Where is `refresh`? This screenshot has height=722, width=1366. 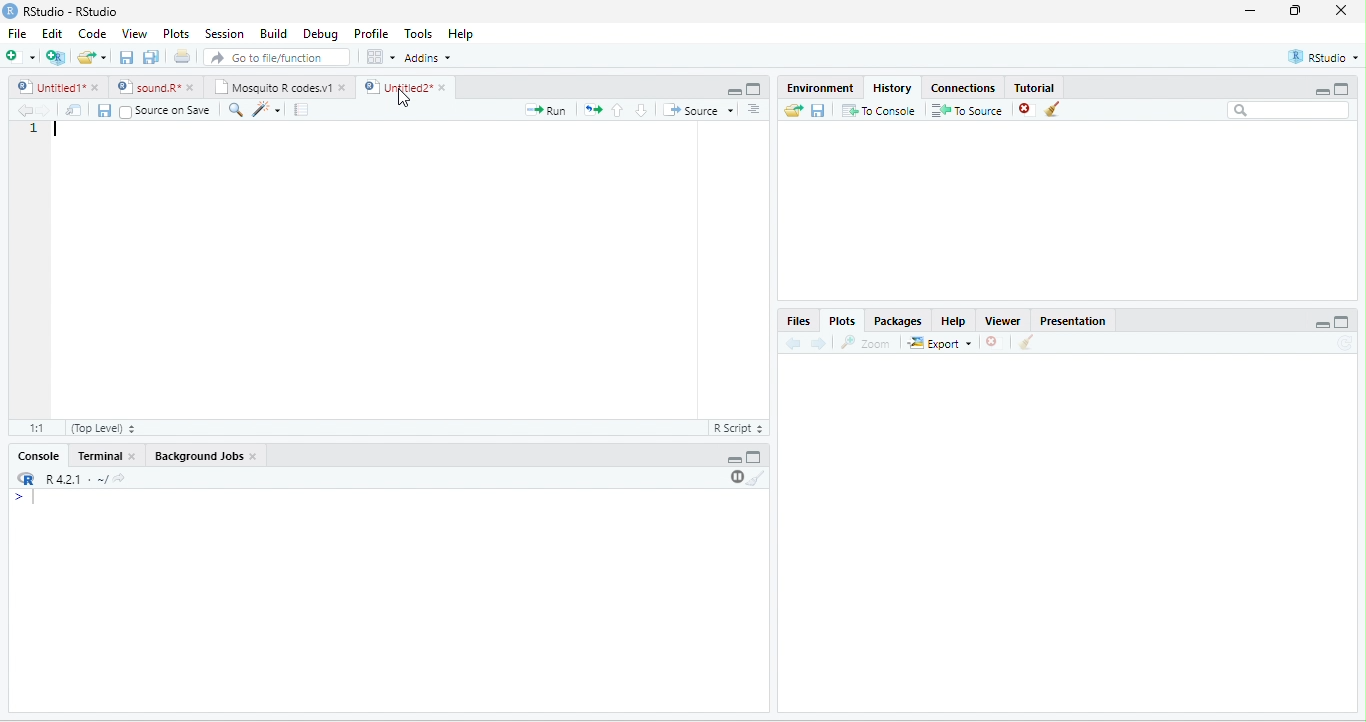
refresh is located at coordinates (1344, 343).